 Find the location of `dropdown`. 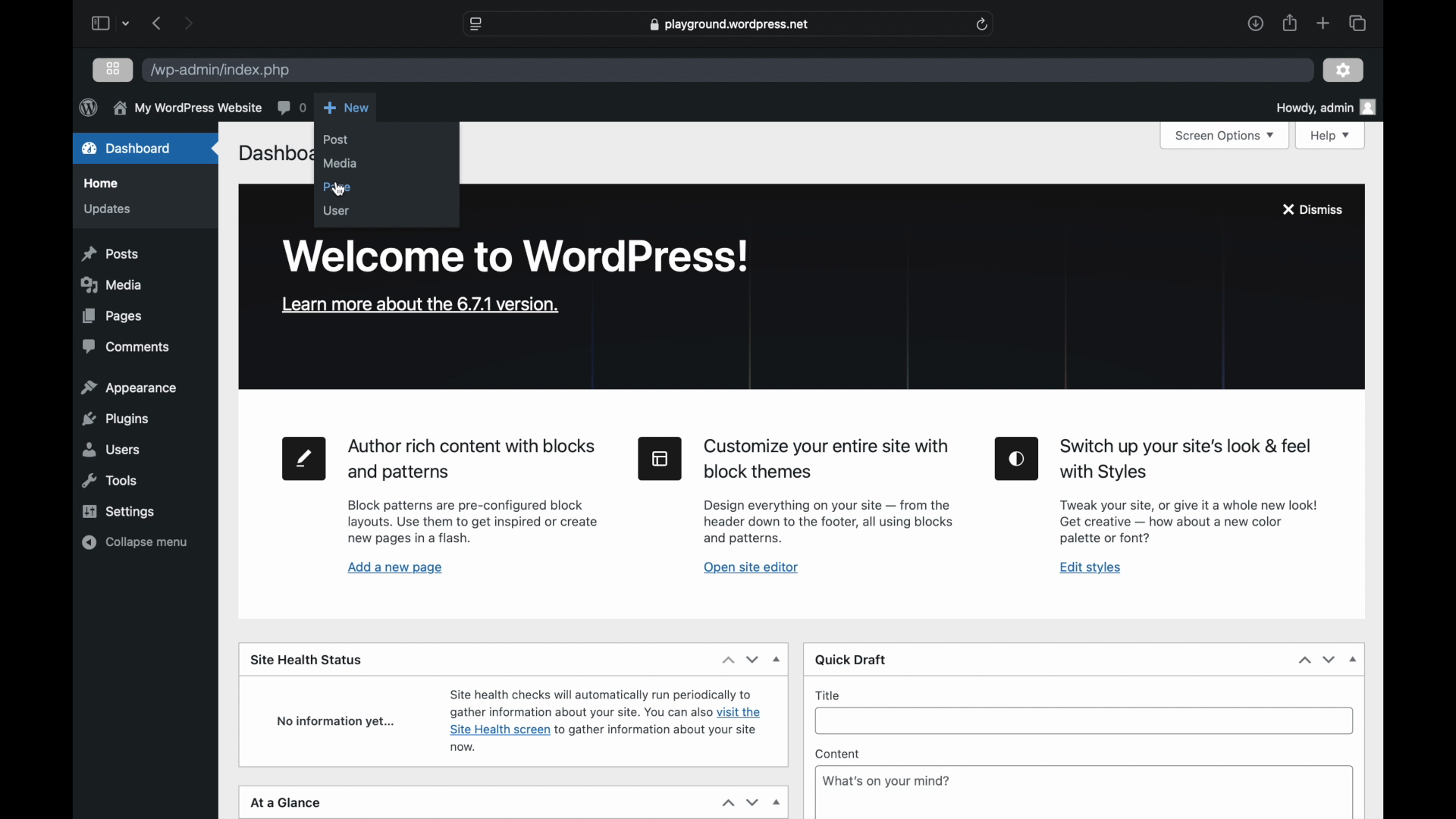

dropdown is located at coordinates (778, 804).